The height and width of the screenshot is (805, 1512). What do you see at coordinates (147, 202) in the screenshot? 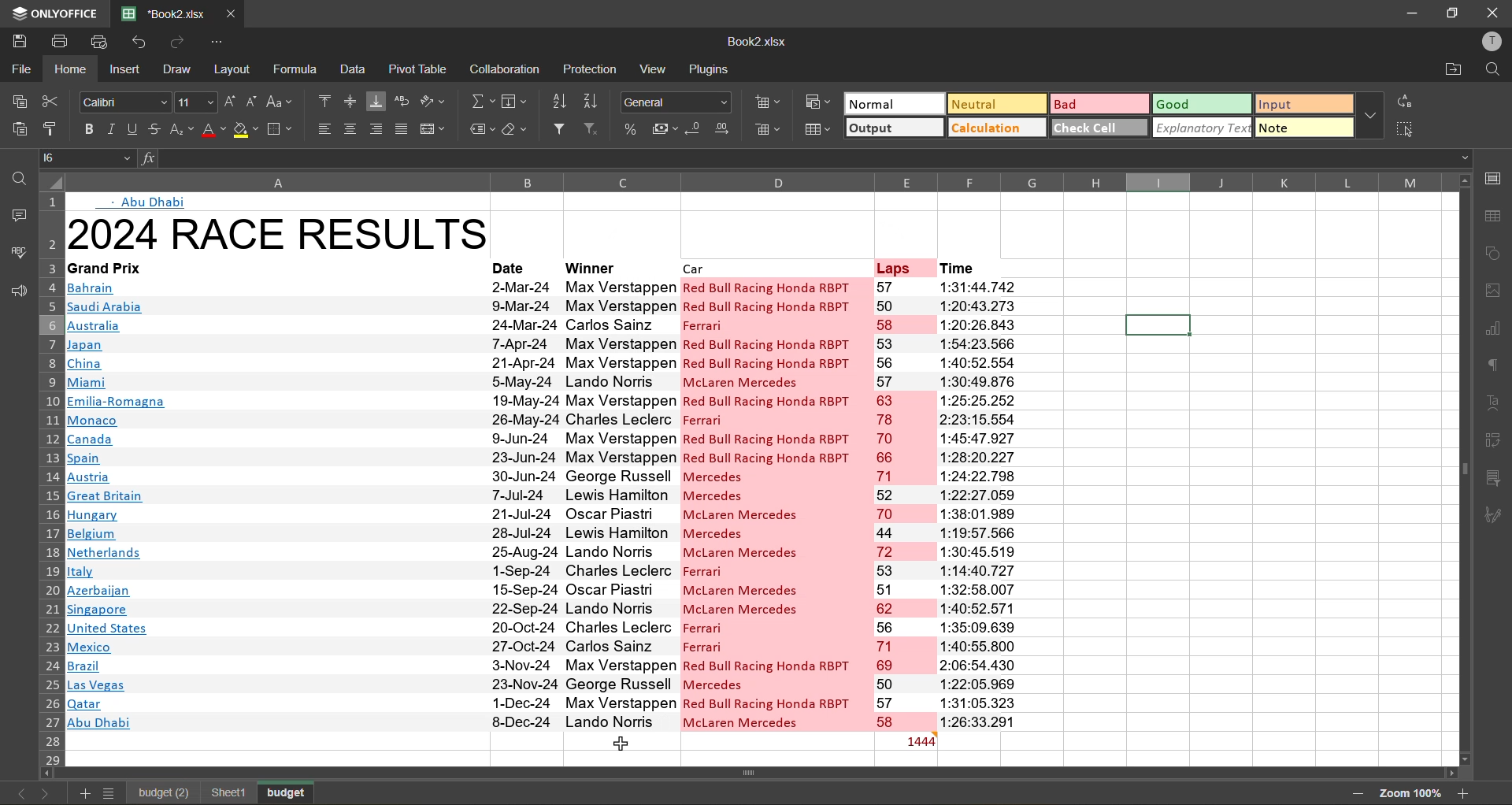
I see `text` at bounding box center [147, 202].